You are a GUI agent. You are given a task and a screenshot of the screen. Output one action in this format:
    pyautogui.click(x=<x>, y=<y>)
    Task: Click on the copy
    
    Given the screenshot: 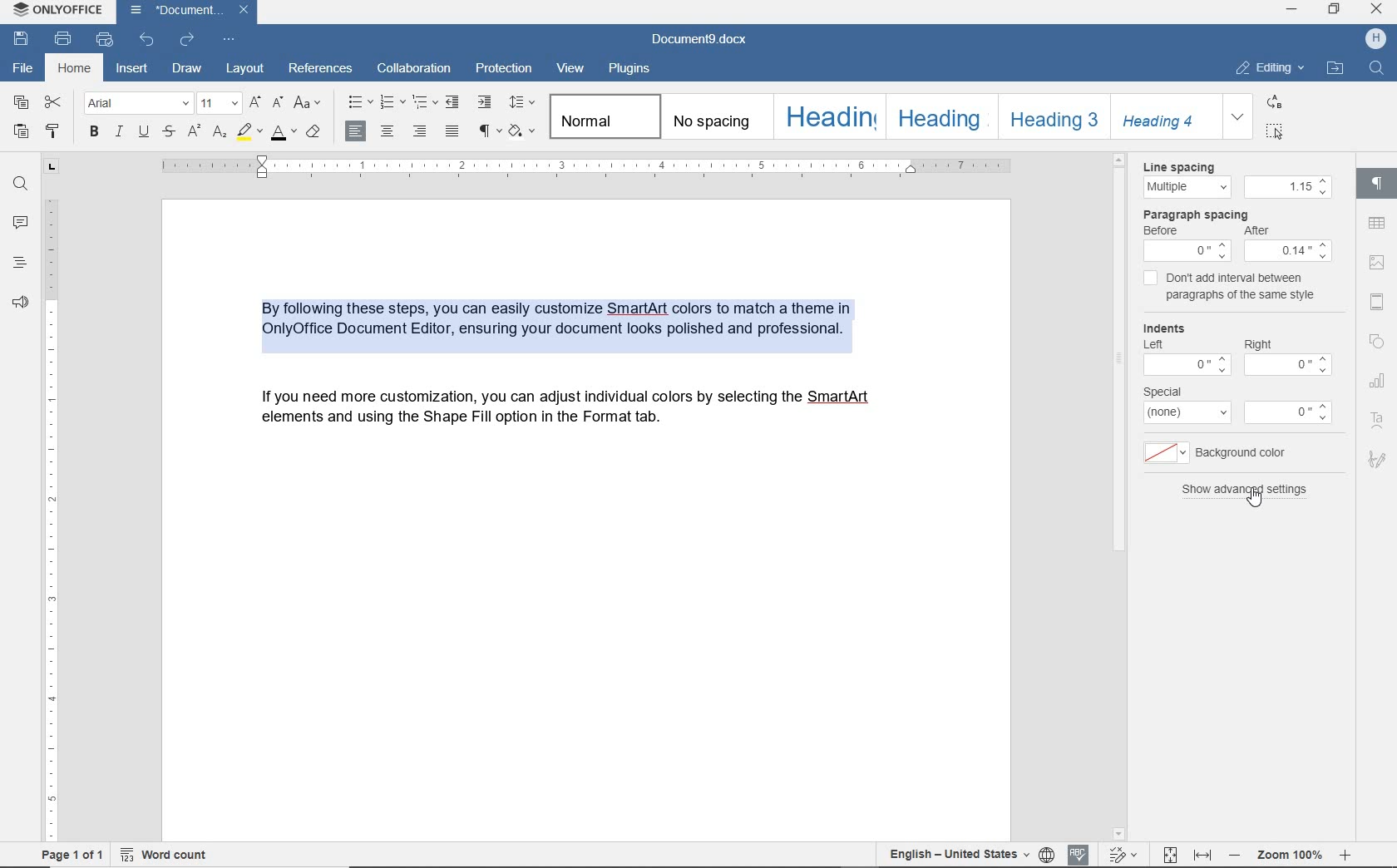 What is the action you would take?
    pyautogui.click(x=23, y=106)
    